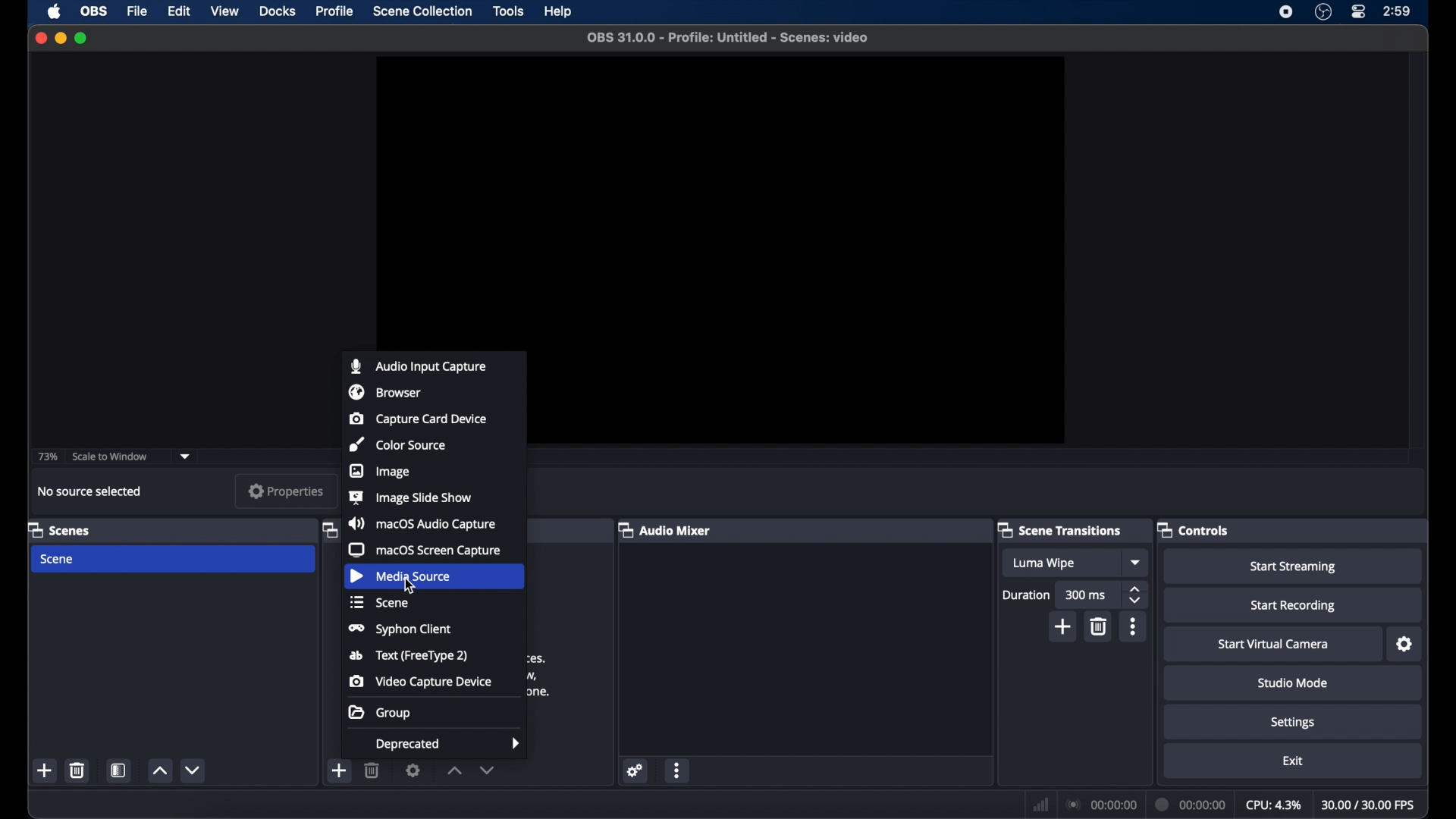  I want to click on ob, so click(96, 11).